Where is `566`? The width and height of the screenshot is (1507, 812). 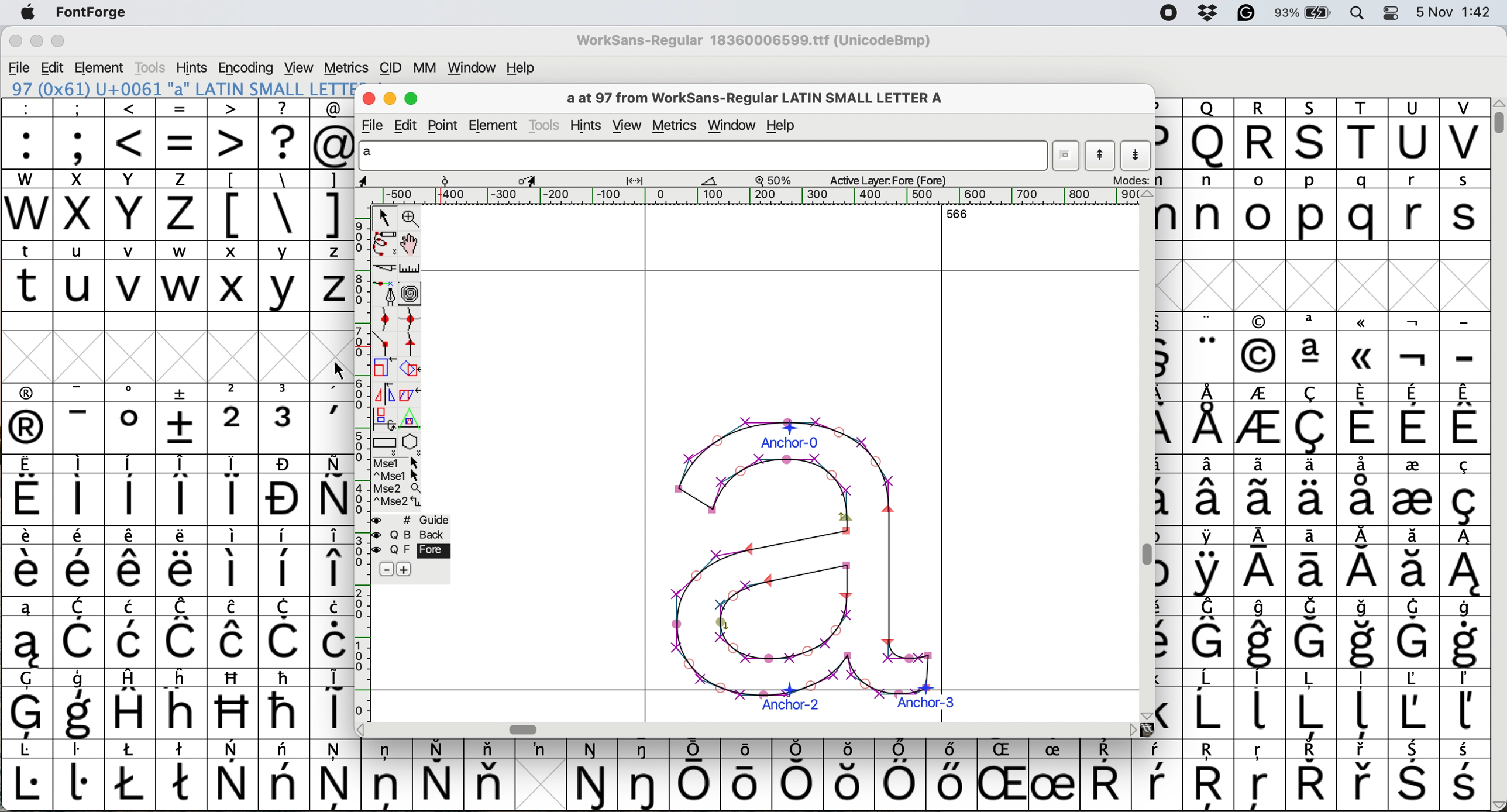 566 is located at coordinates (958, 214).